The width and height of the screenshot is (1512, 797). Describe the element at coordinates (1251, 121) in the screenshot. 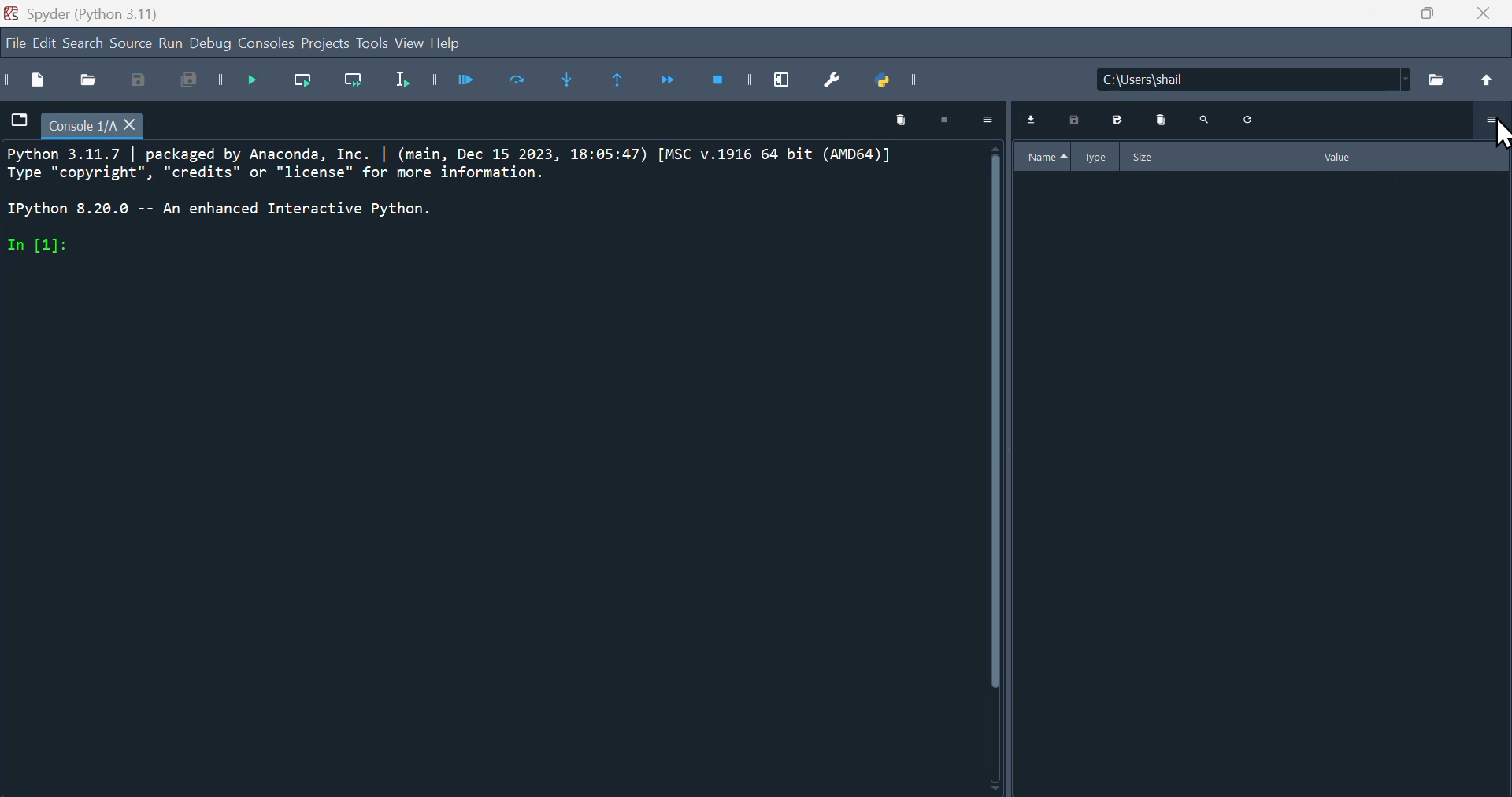

I see `Refresh` at that location.